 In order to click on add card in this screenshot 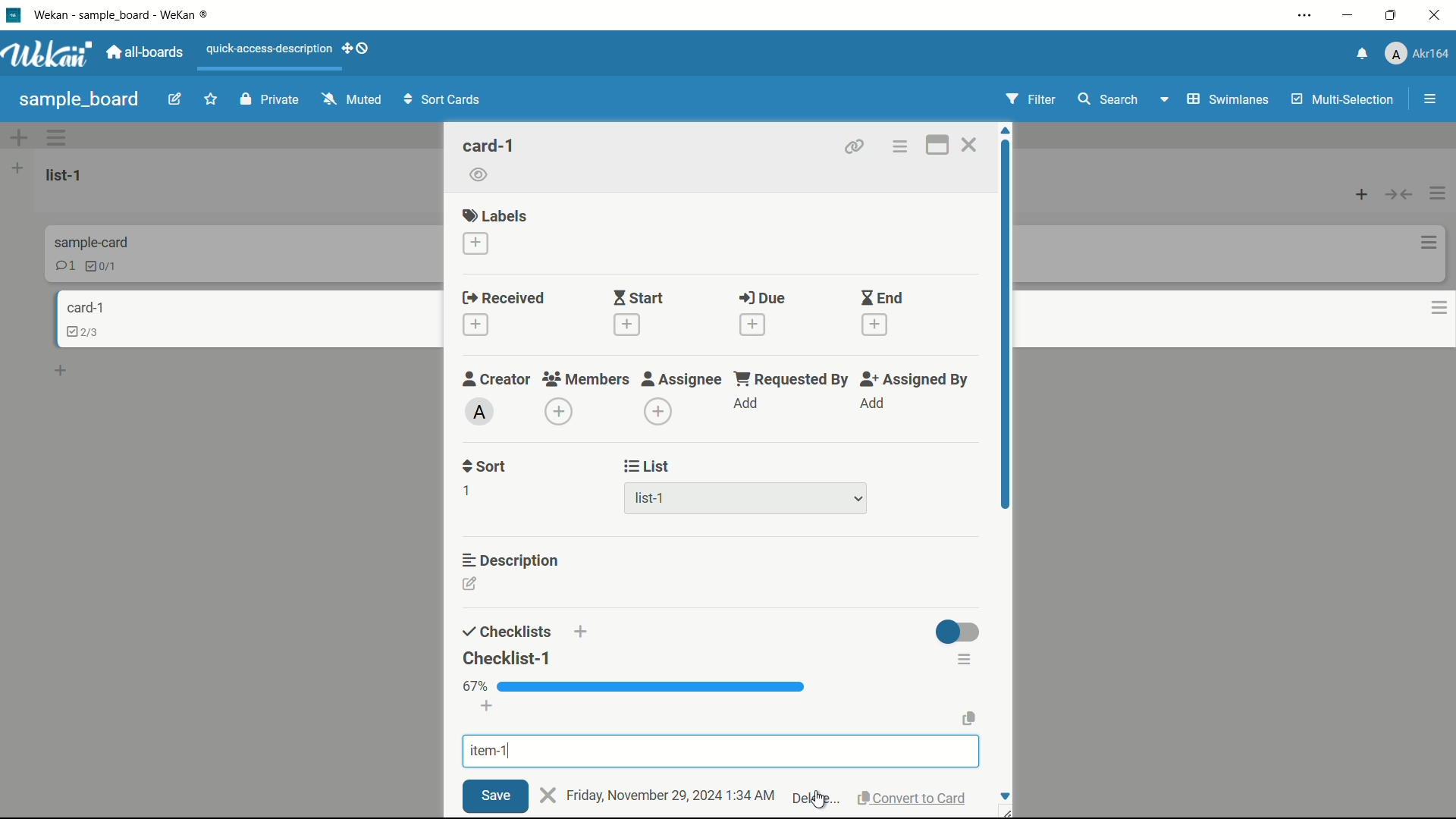, I will do `click(61, 371)`.